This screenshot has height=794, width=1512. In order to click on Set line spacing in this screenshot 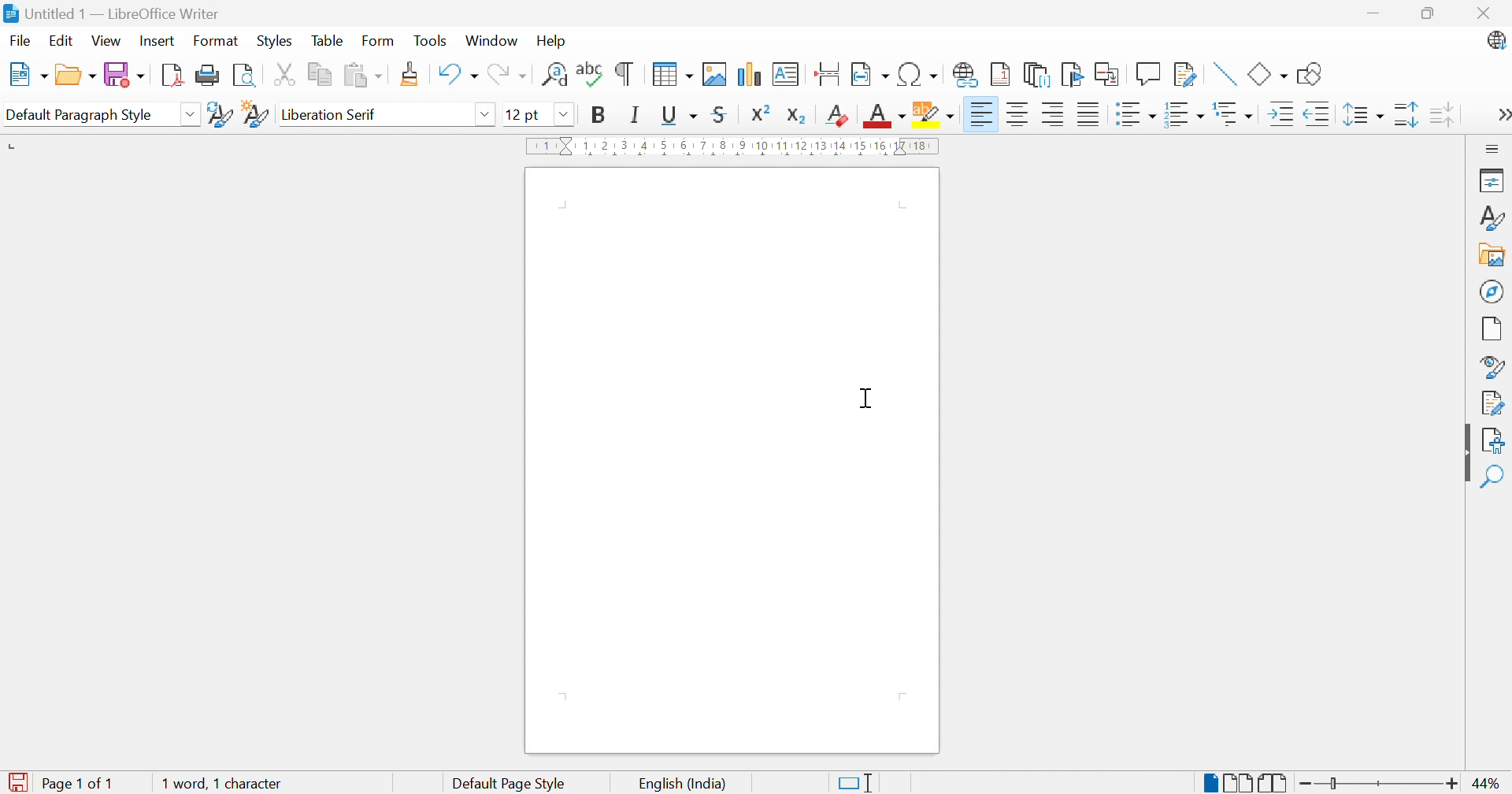, I will do `click(1366, 115)`.